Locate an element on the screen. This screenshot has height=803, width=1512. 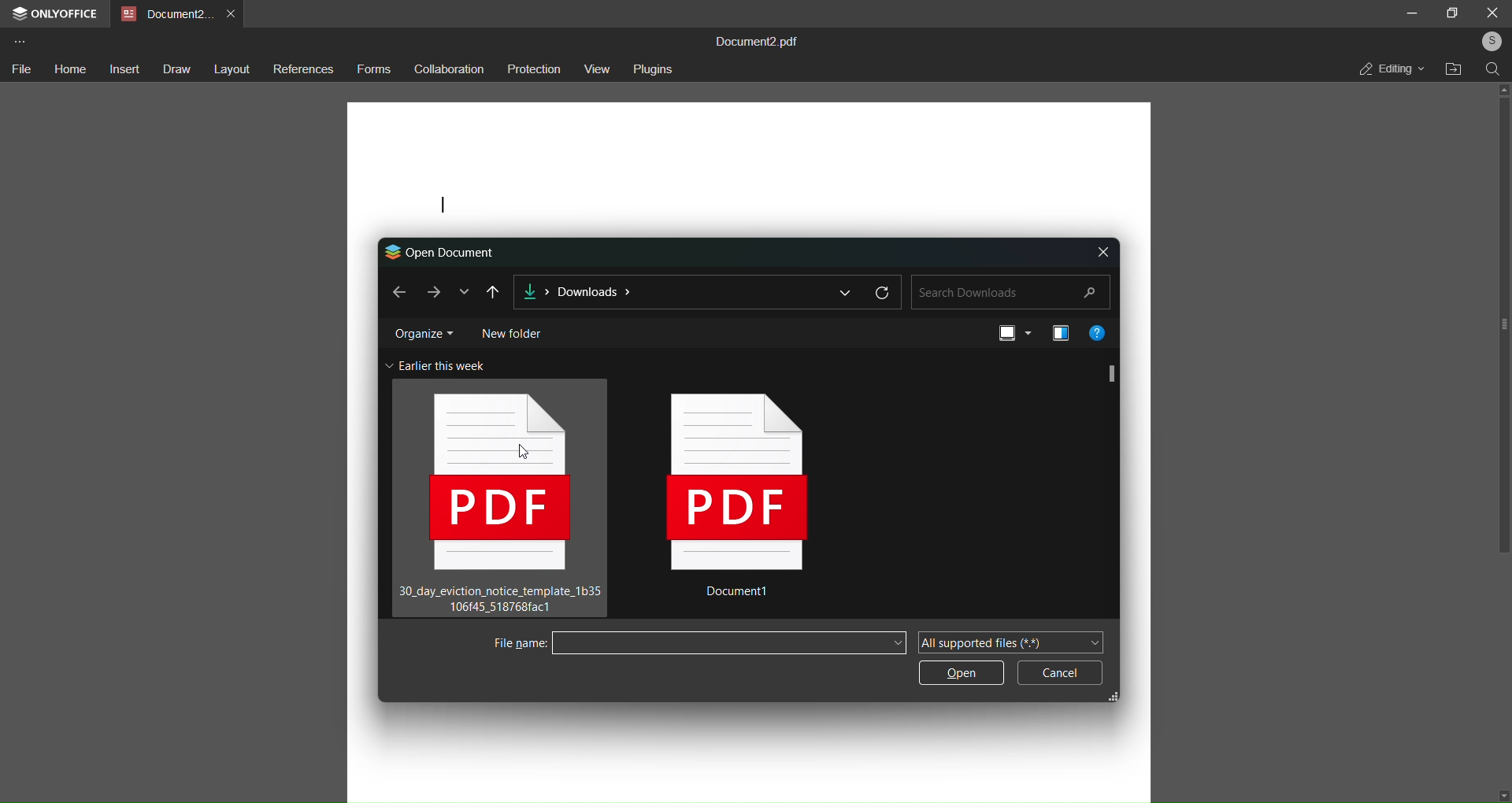
document 1 is located at coordinates (745, 502).